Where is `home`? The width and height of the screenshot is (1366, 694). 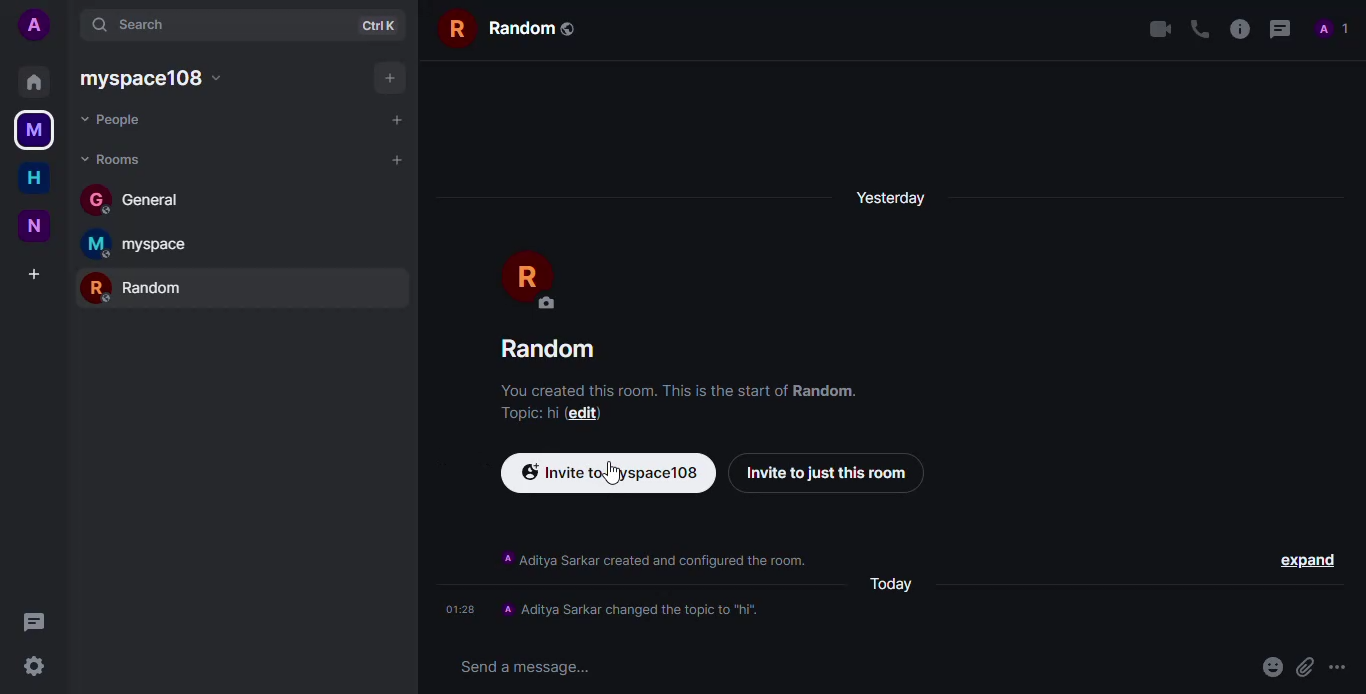
home is located at coordinates (33, 179).